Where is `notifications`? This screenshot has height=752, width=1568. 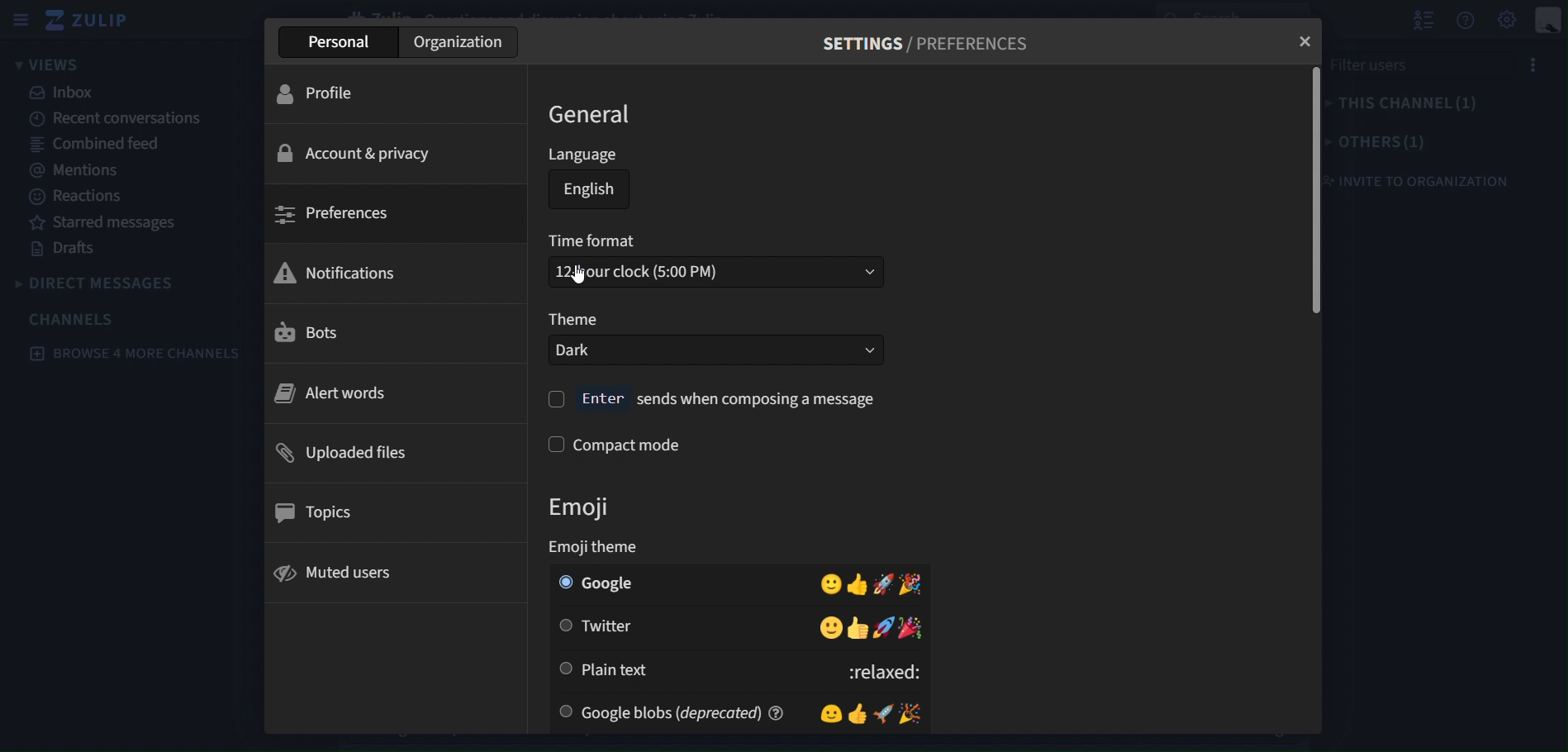 notifications is located at coordinates (391, 273).